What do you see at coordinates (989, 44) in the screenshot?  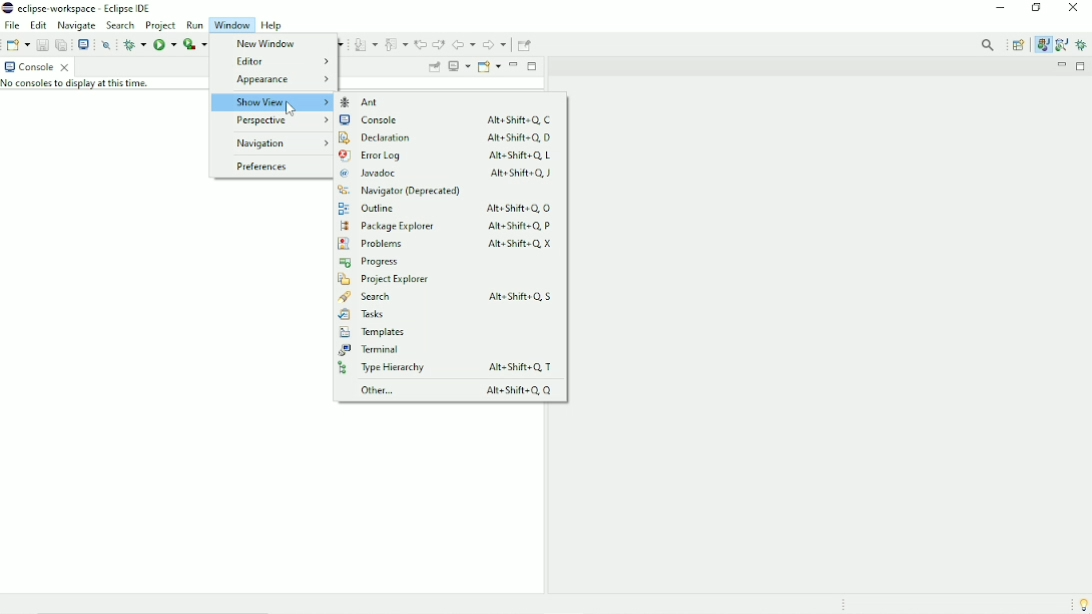 I see `Access commands and other items` at bounding box center [989, 44].